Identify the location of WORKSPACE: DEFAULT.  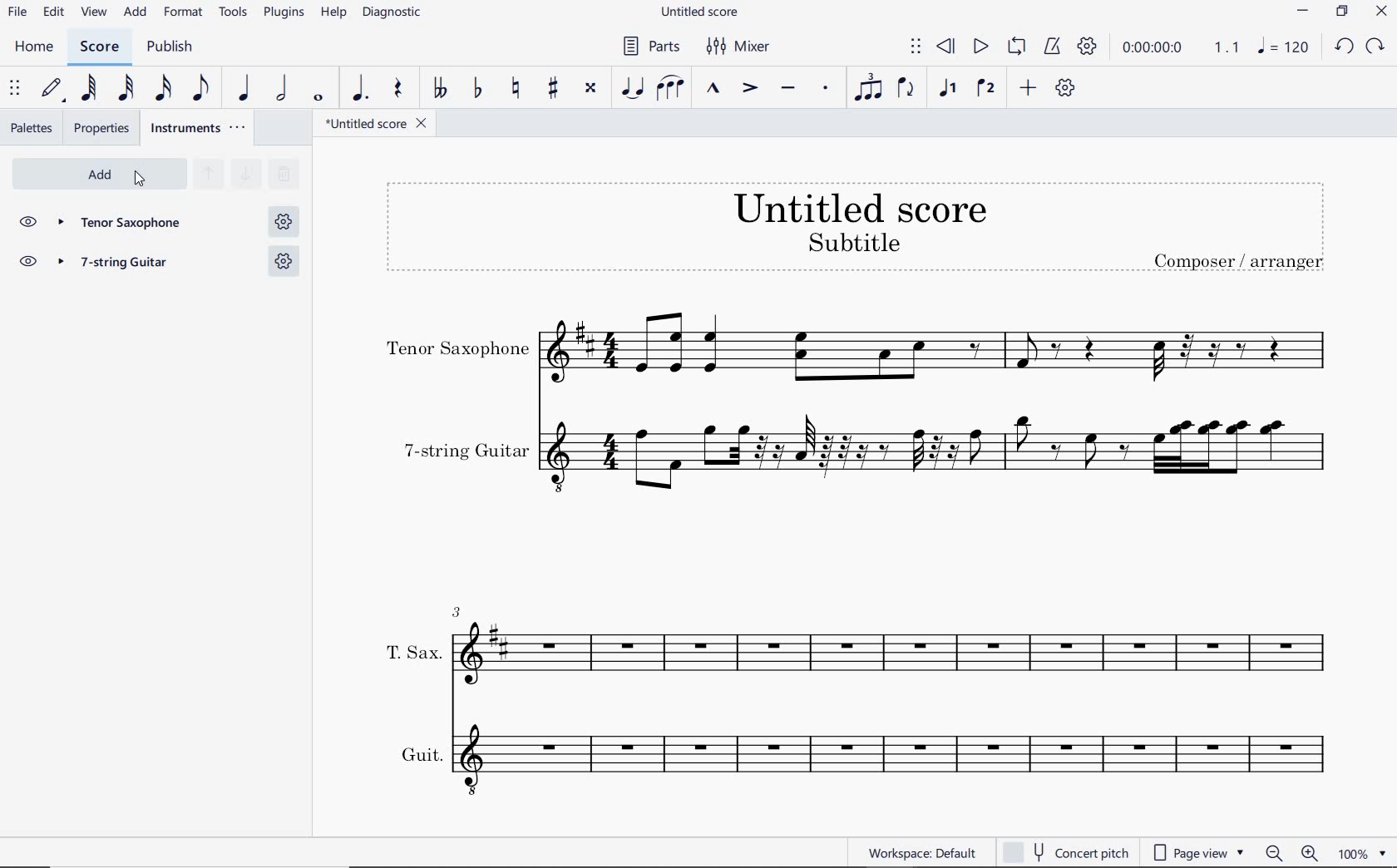
(921, 851).